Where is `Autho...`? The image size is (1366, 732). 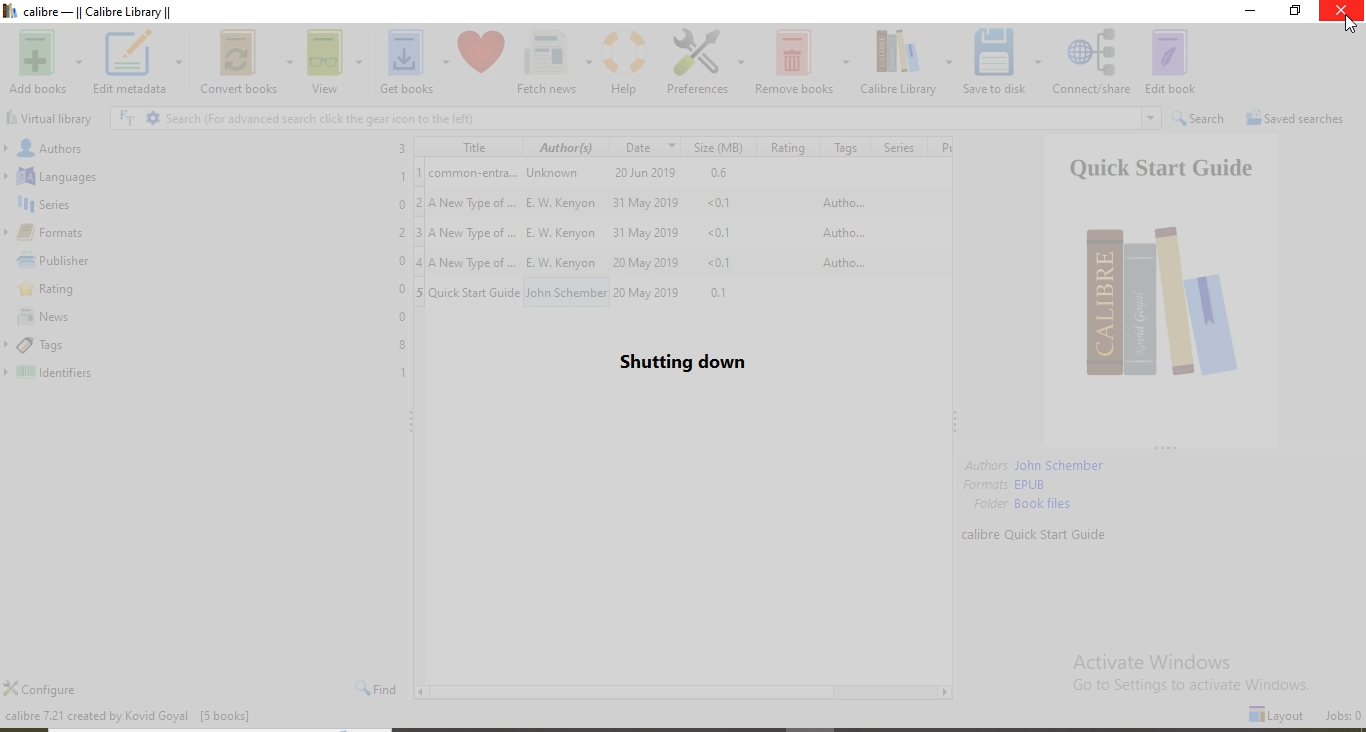 Autho... is located at coordinates (840, 202).